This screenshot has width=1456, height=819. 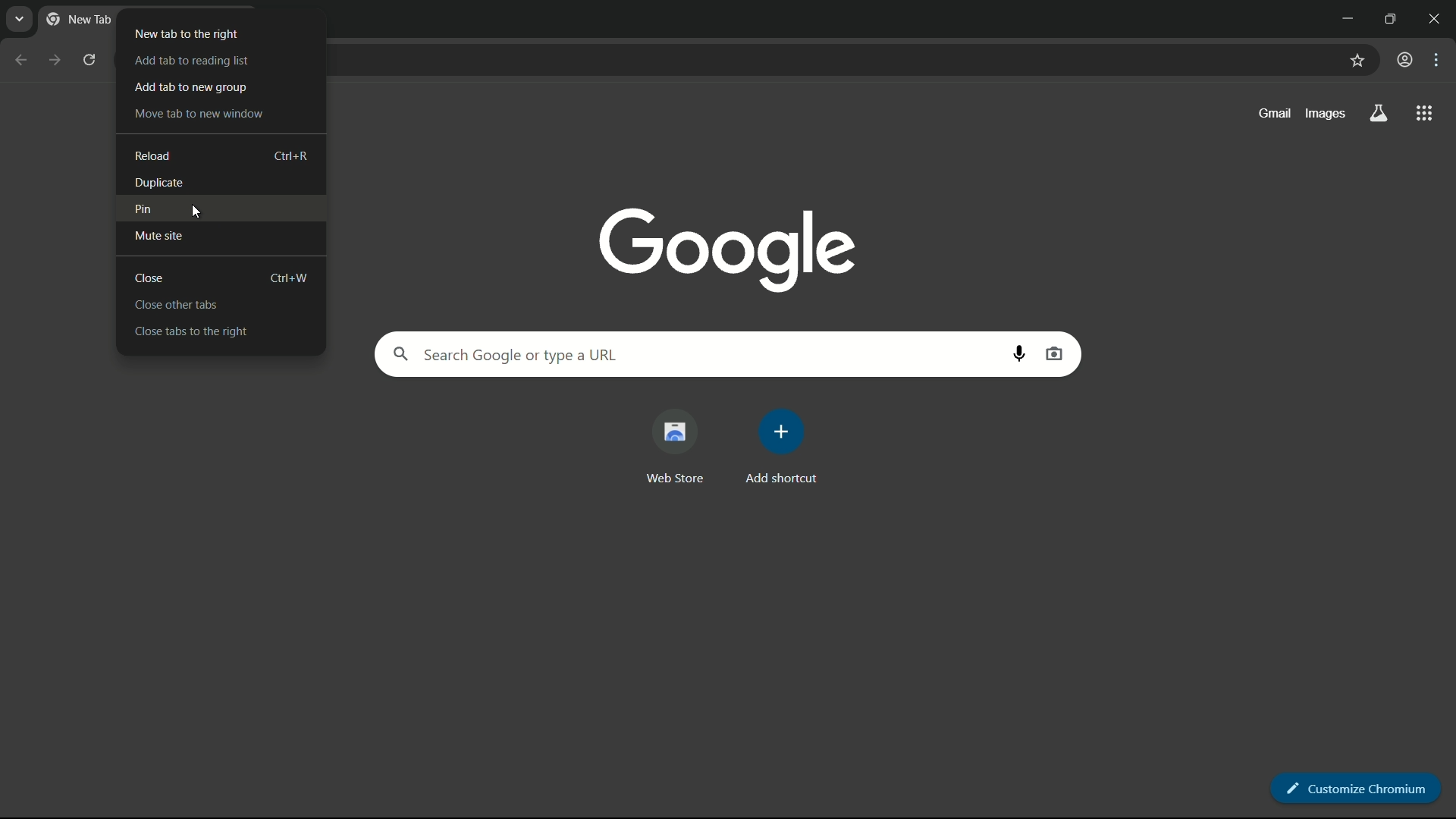 What do you see at coordinates (780, 448) in the screenshot?
I see `add shortcut` at bounding box center [780, 448].